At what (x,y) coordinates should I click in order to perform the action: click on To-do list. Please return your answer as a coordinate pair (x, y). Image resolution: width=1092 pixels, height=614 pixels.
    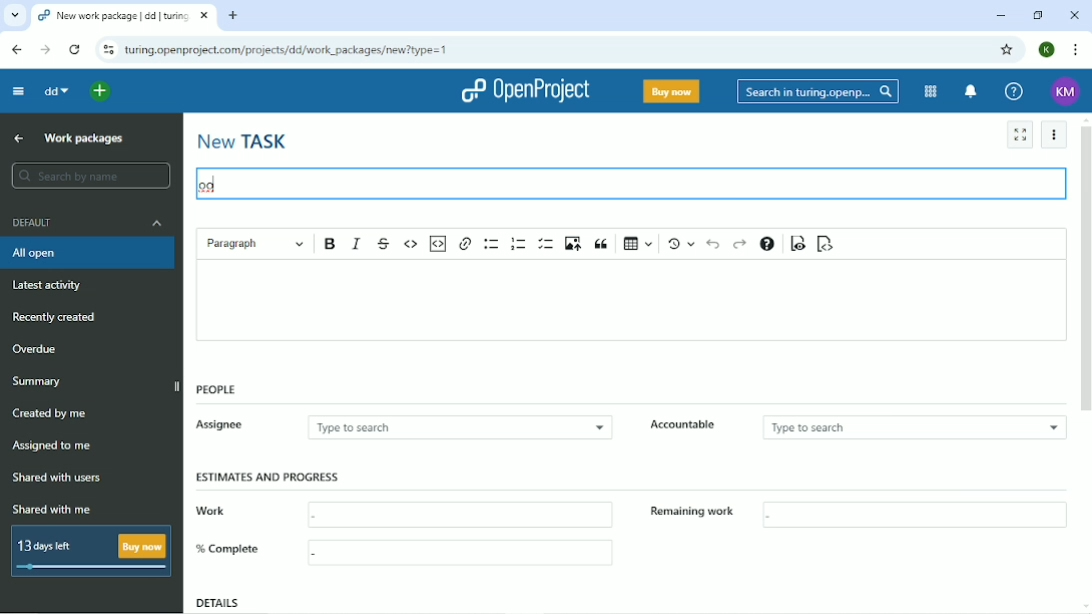
    Looking at the image, I should click on (546, 243).